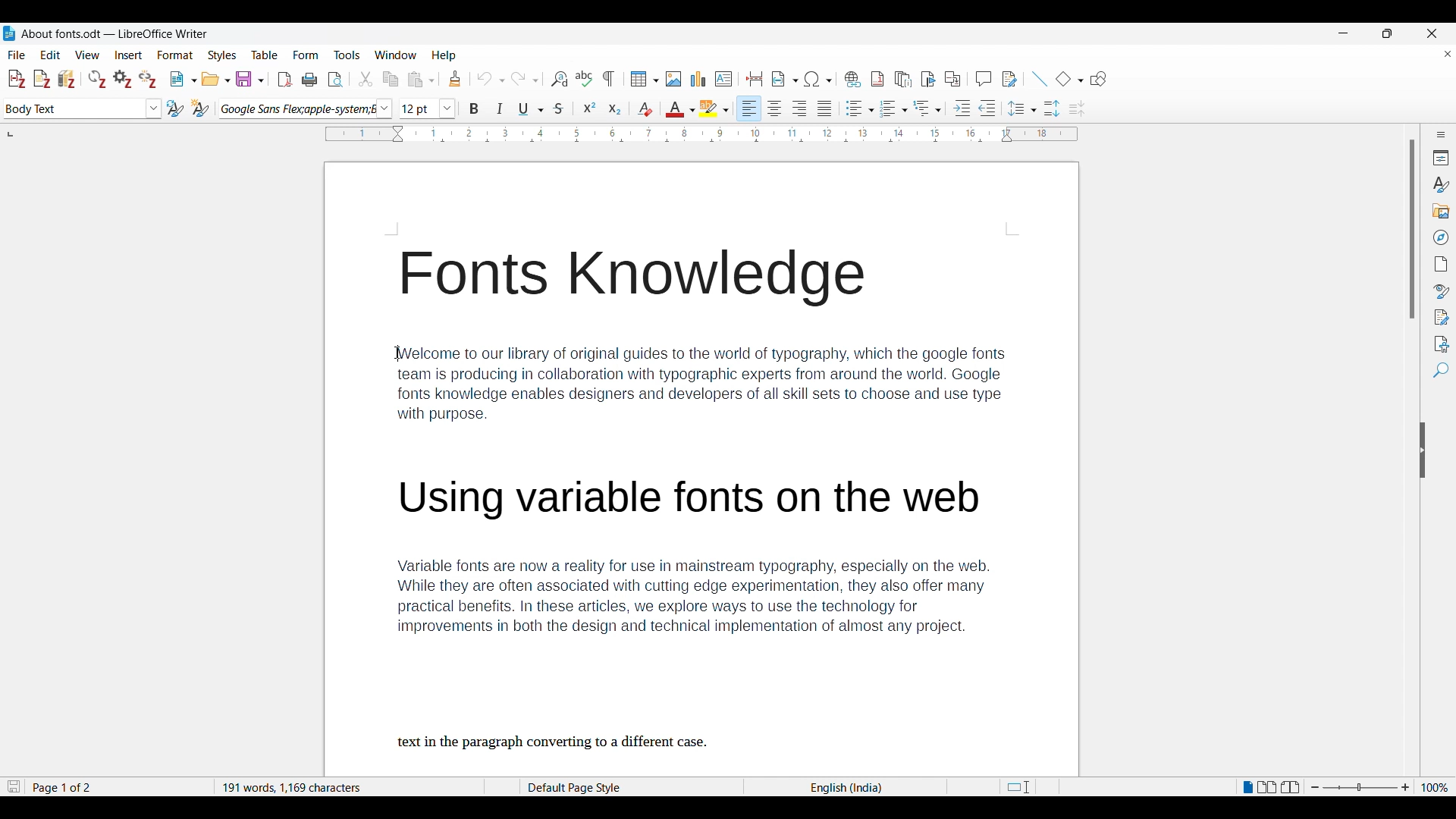 The height and width of the screenshot is (819, 1456). What do you see at coordinates (701, 134) in the screenshot?
I see `Horizontal scale` at bounding box center [701, 134].